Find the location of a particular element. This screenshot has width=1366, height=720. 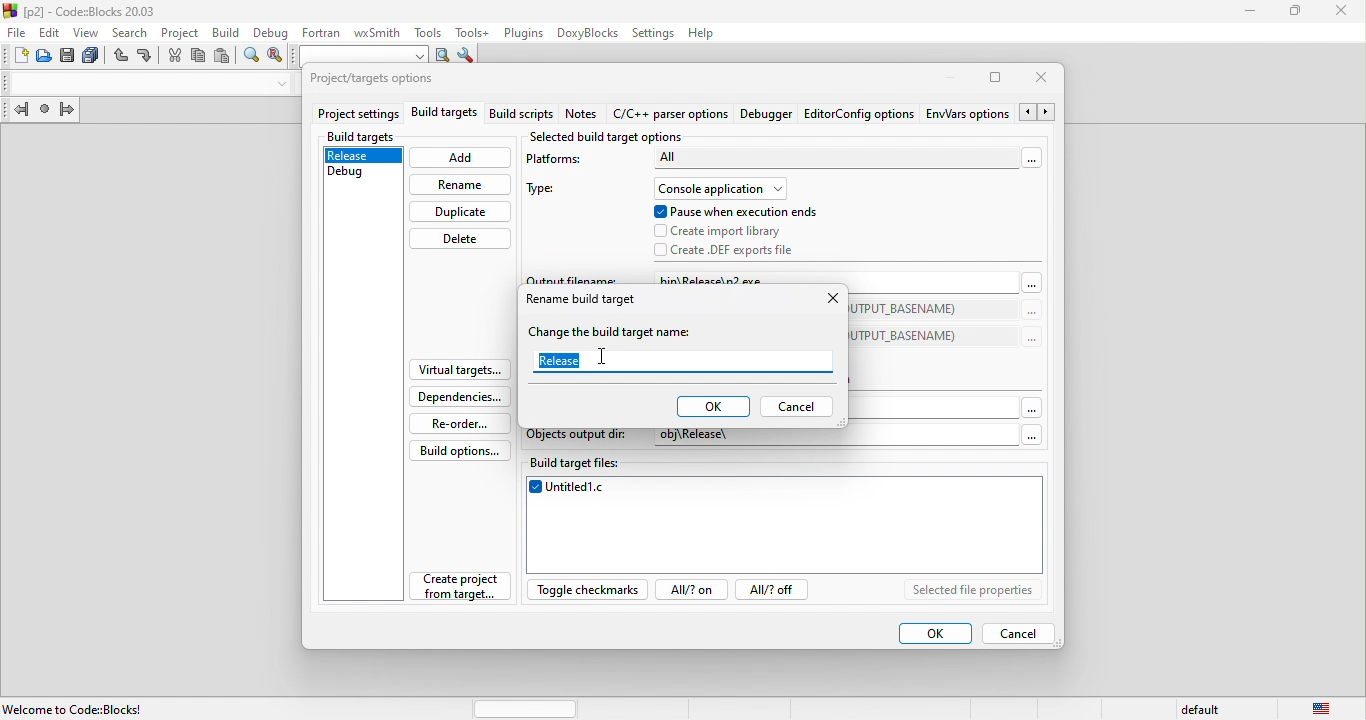

c\c++ parser option is located at coordinates (673, 115).